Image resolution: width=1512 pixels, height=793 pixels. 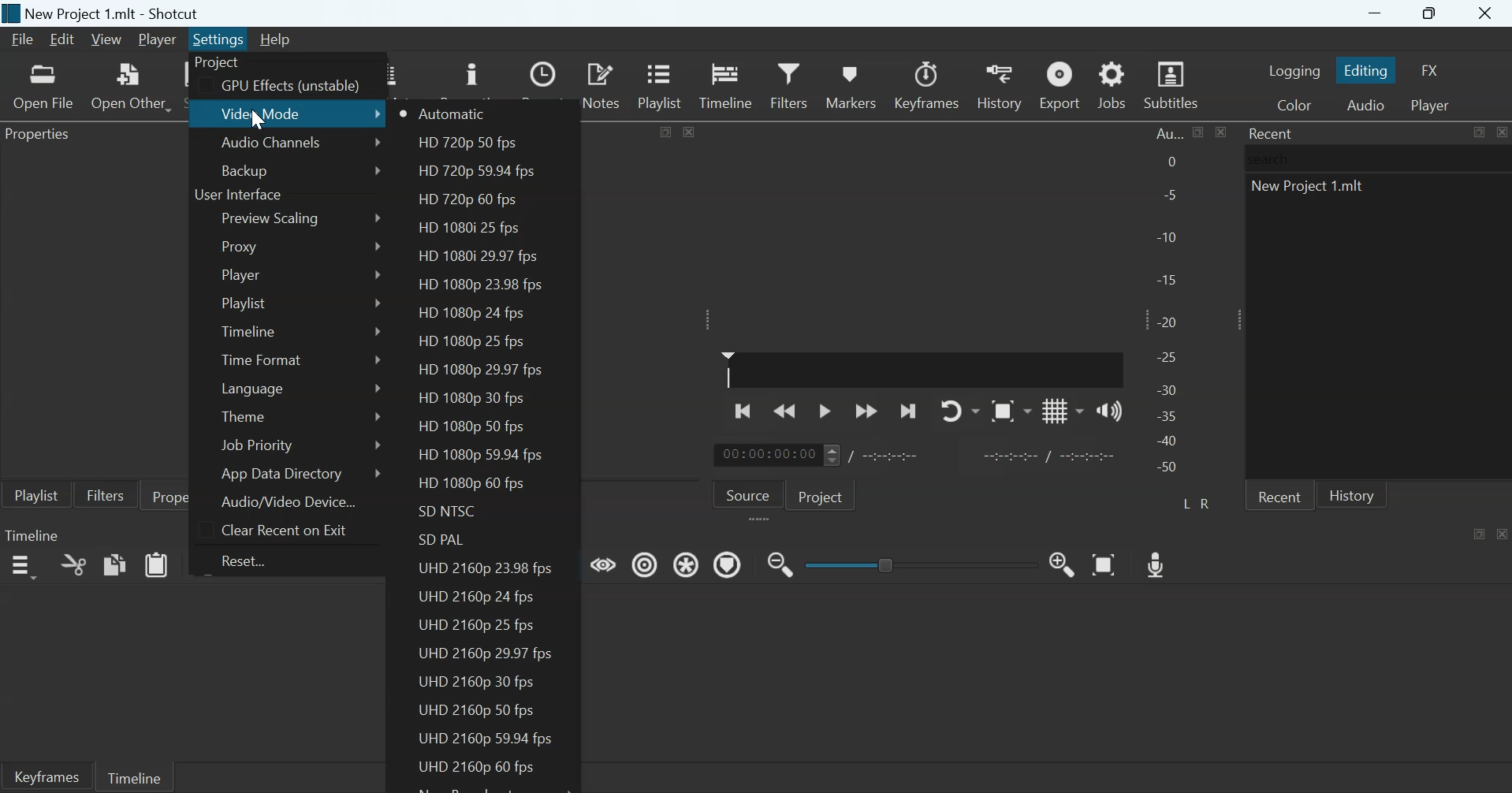 I want to click on new project 1.mlt, so click(x=1312, y=190).